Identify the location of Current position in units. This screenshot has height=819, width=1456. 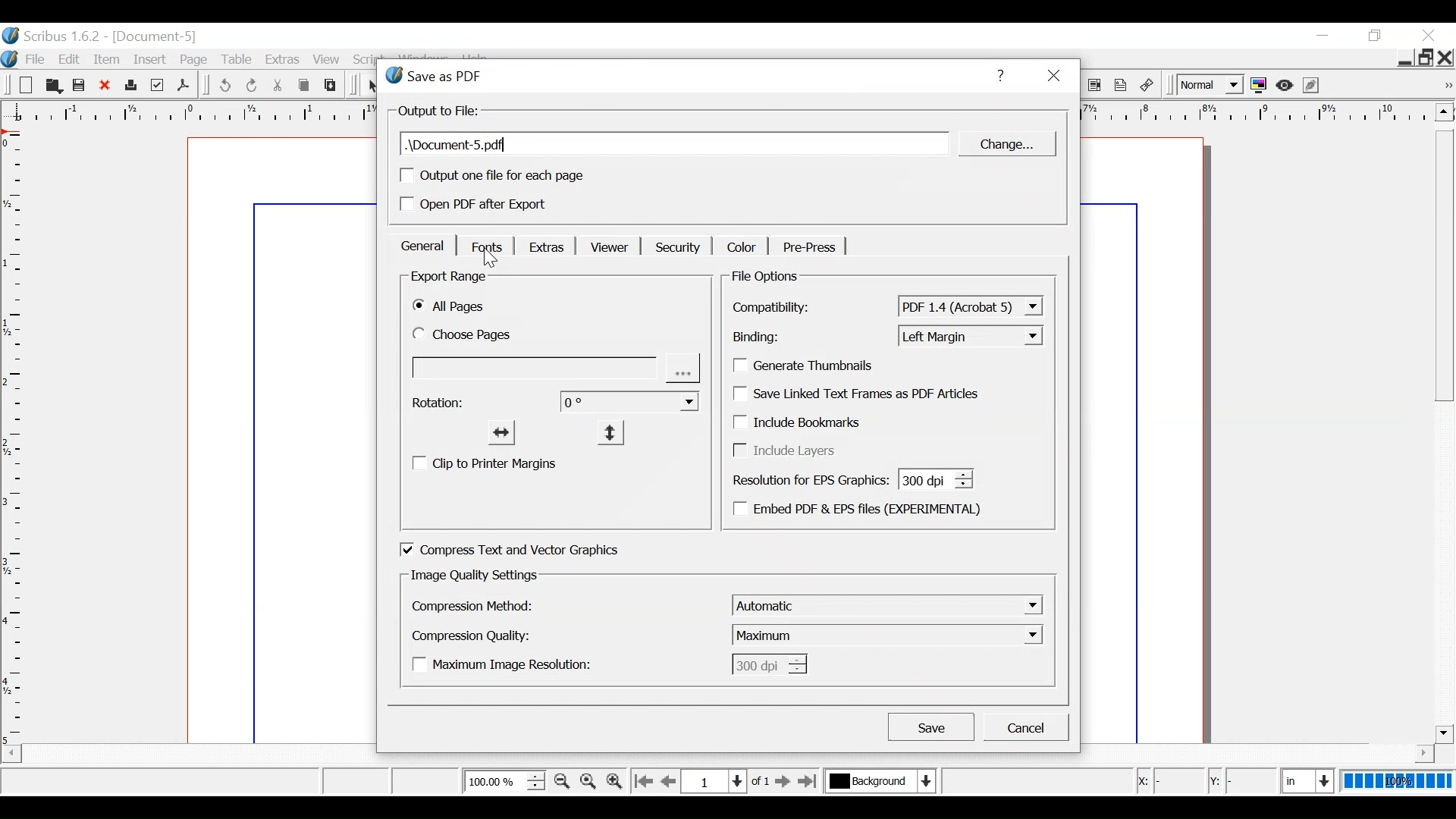
(1309, 779).